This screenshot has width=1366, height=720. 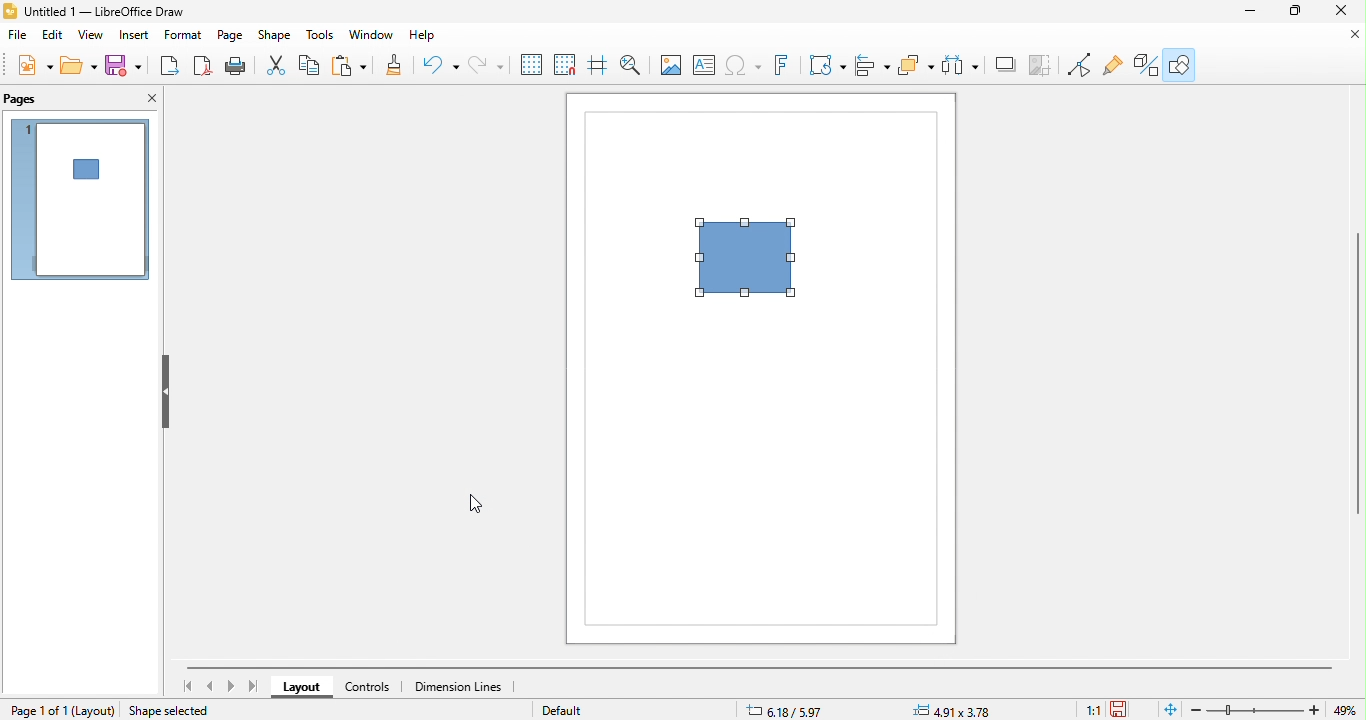 I want to click on save, so click(x=123, y=65).